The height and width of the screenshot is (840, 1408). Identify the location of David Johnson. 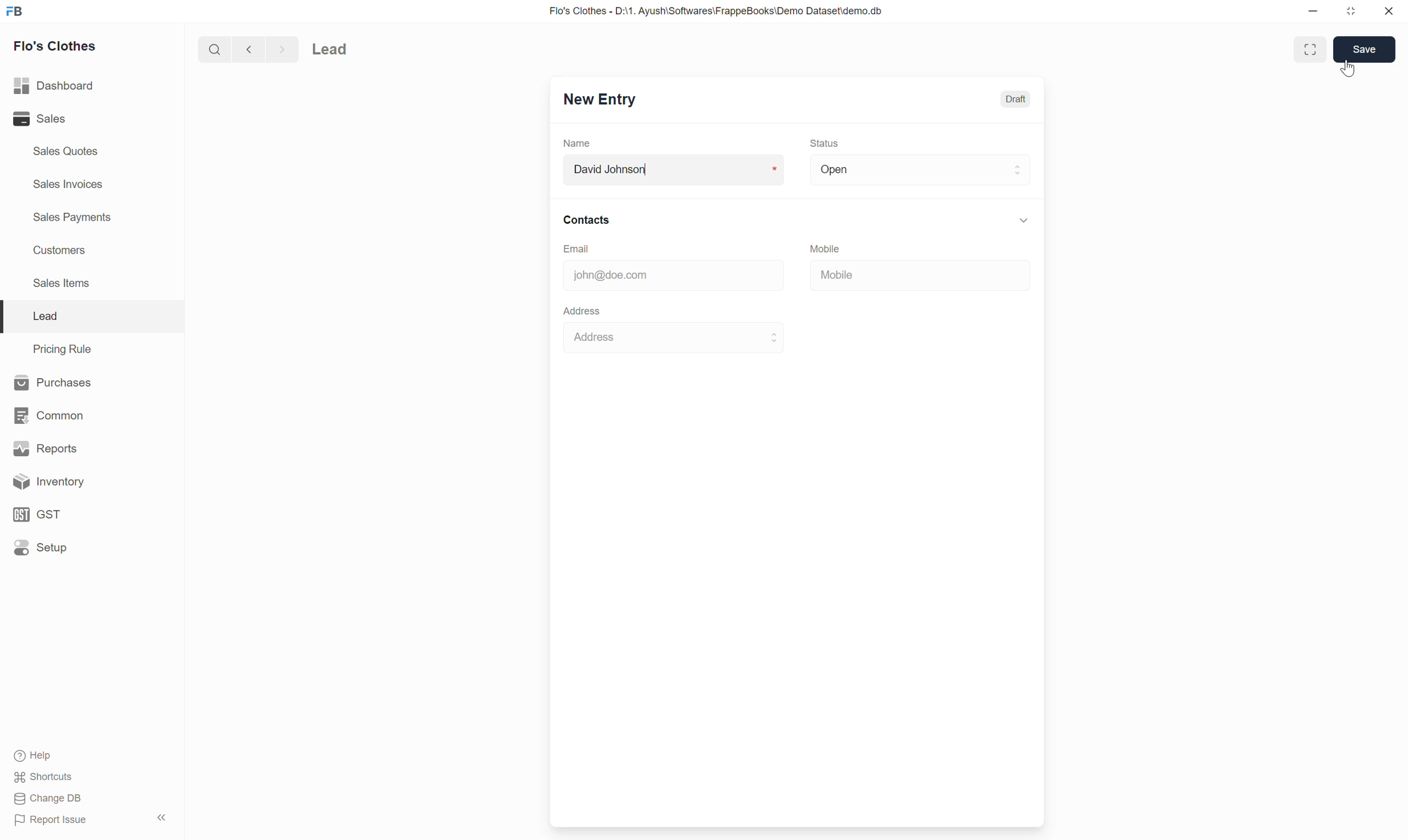
(675, 172).